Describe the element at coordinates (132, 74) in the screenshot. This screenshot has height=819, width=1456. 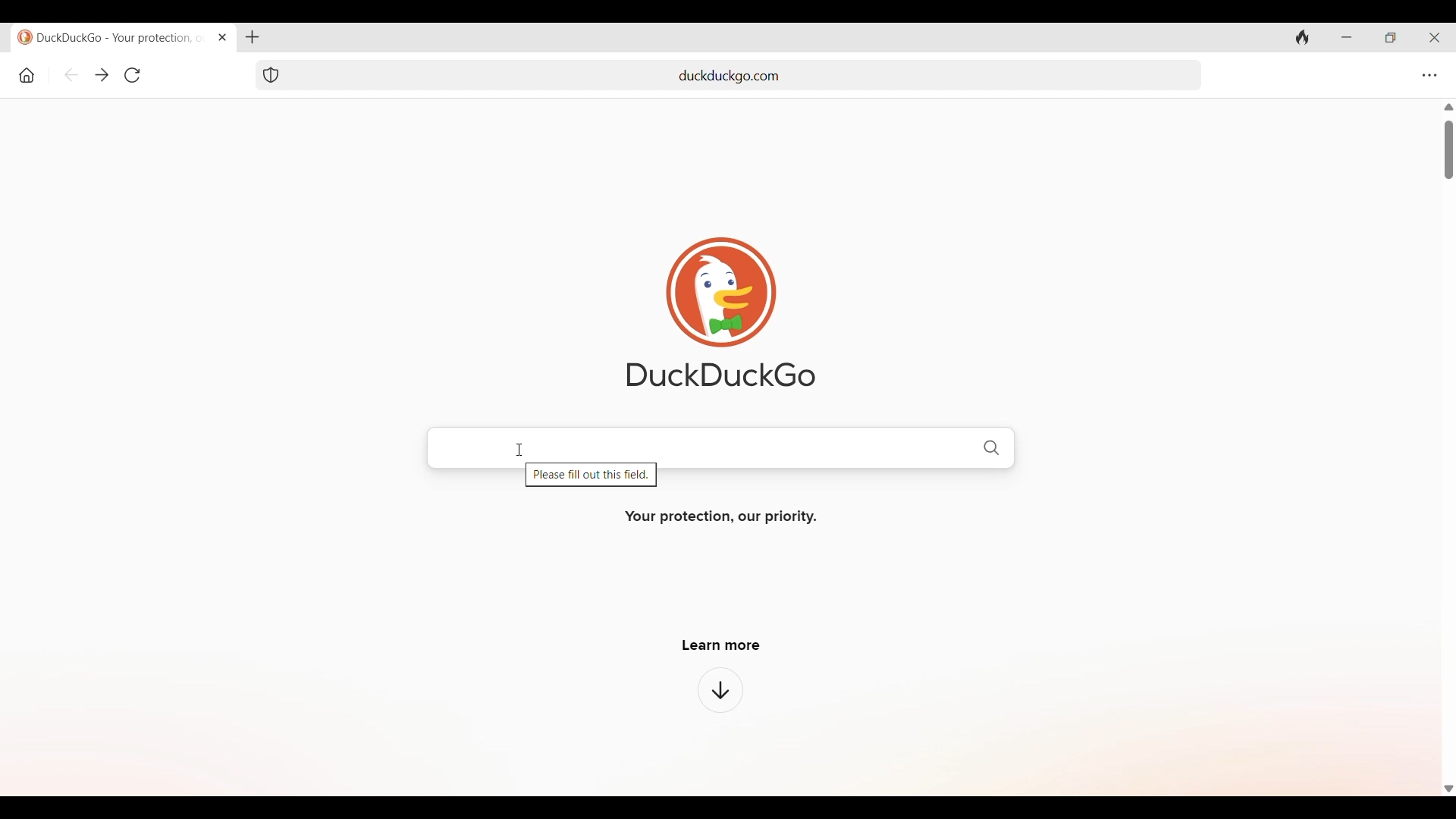
I see `Reload page` at that location.